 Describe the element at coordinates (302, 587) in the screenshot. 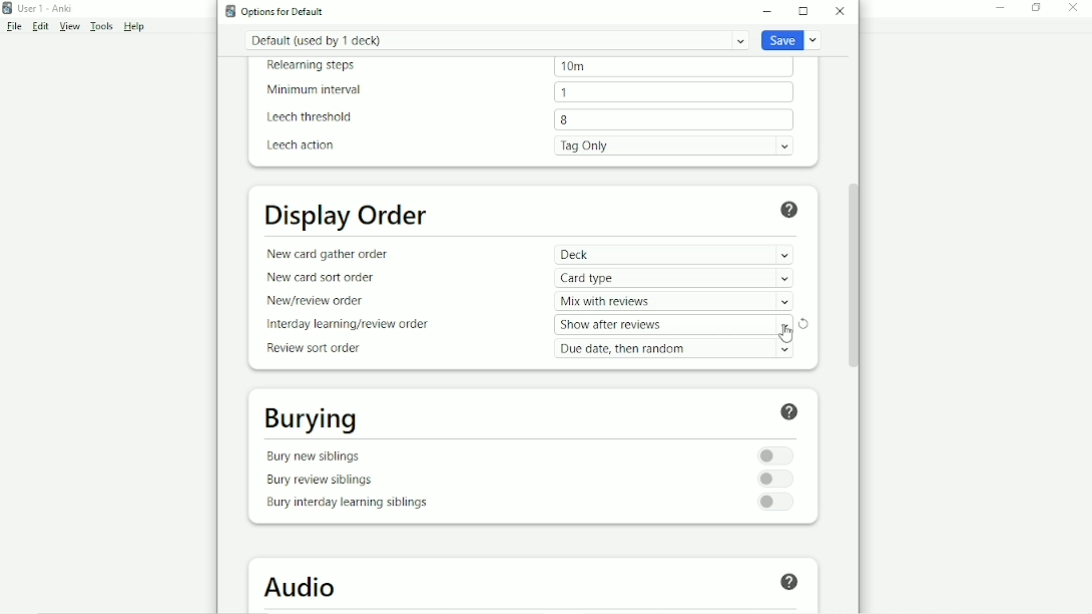

I see `Audio` at that location.